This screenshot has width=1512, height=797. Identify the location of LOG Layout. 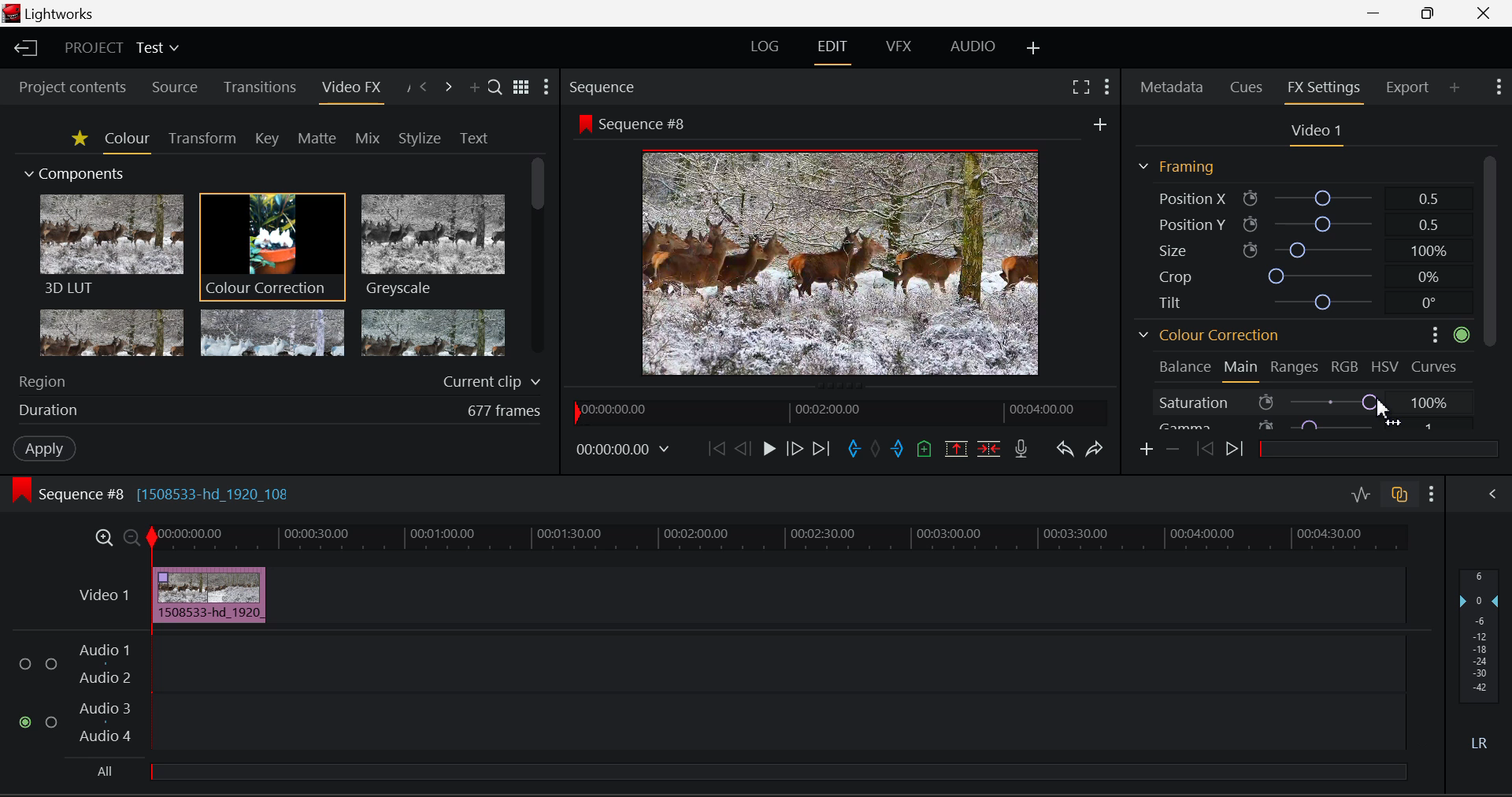
(767, 50).